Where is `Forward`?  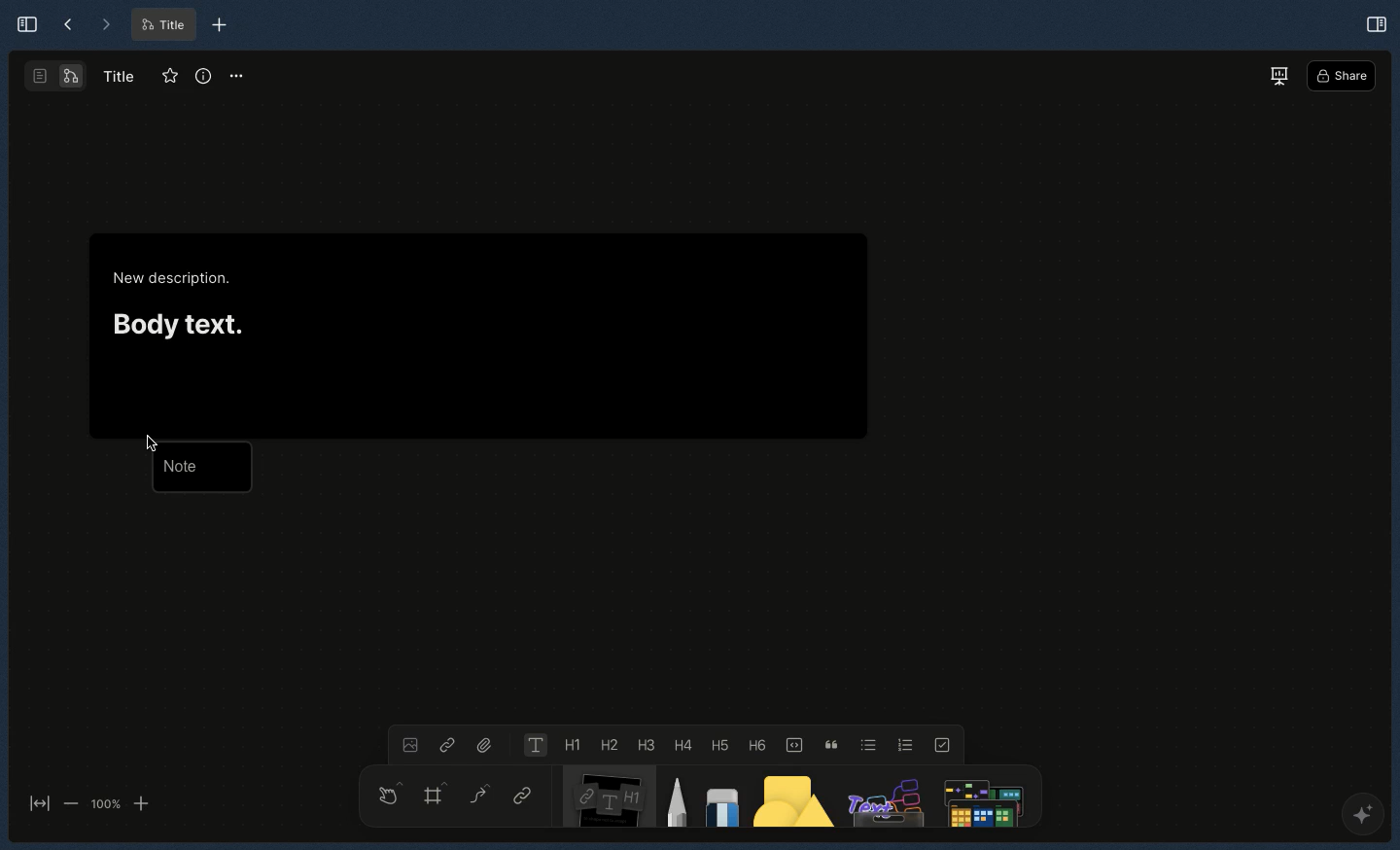 Forward is located at coordinates (105, 25).